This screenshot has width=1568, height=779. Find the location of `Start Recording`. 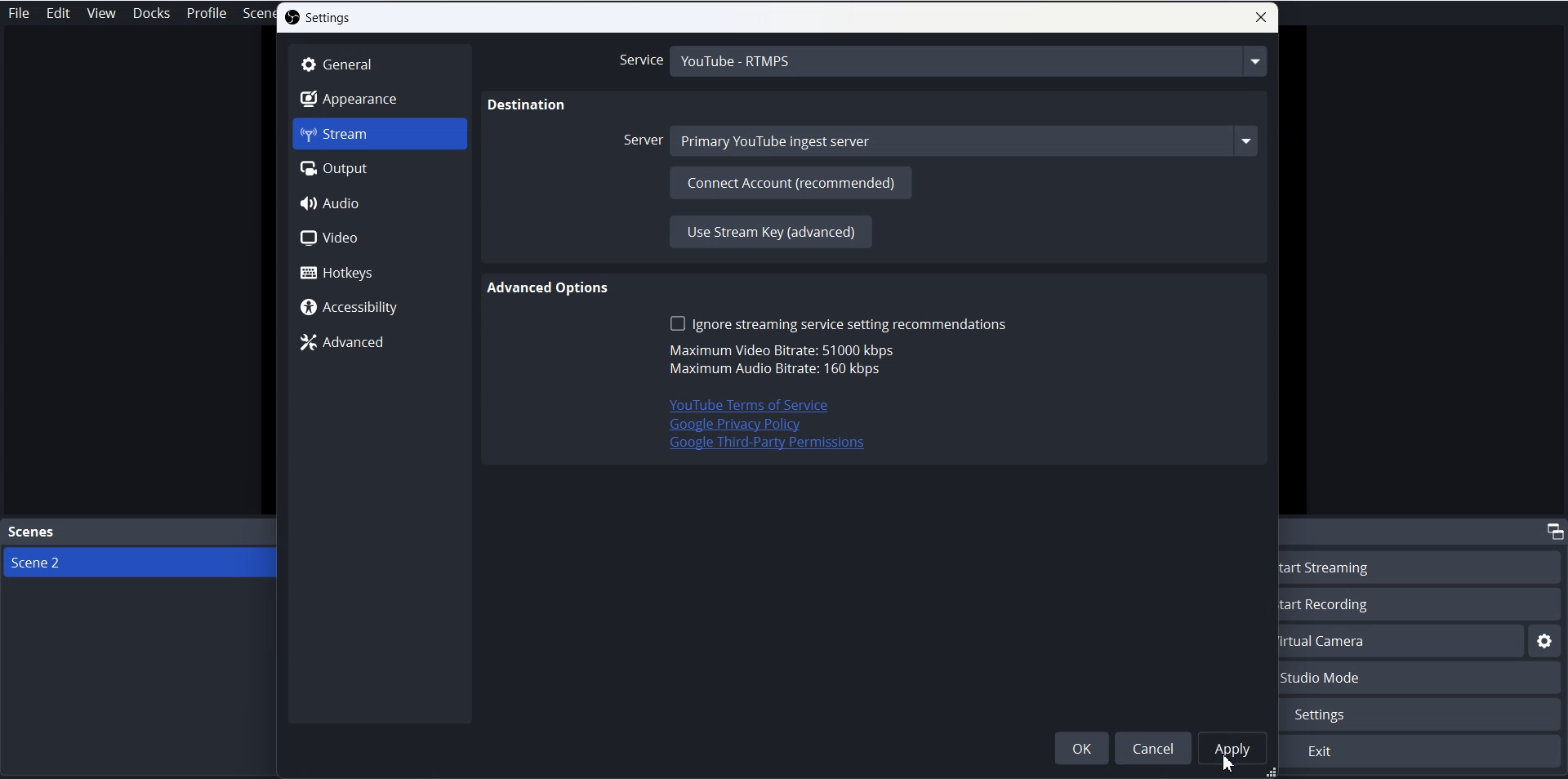

Start Recording is located at coordinates (1424, 603).